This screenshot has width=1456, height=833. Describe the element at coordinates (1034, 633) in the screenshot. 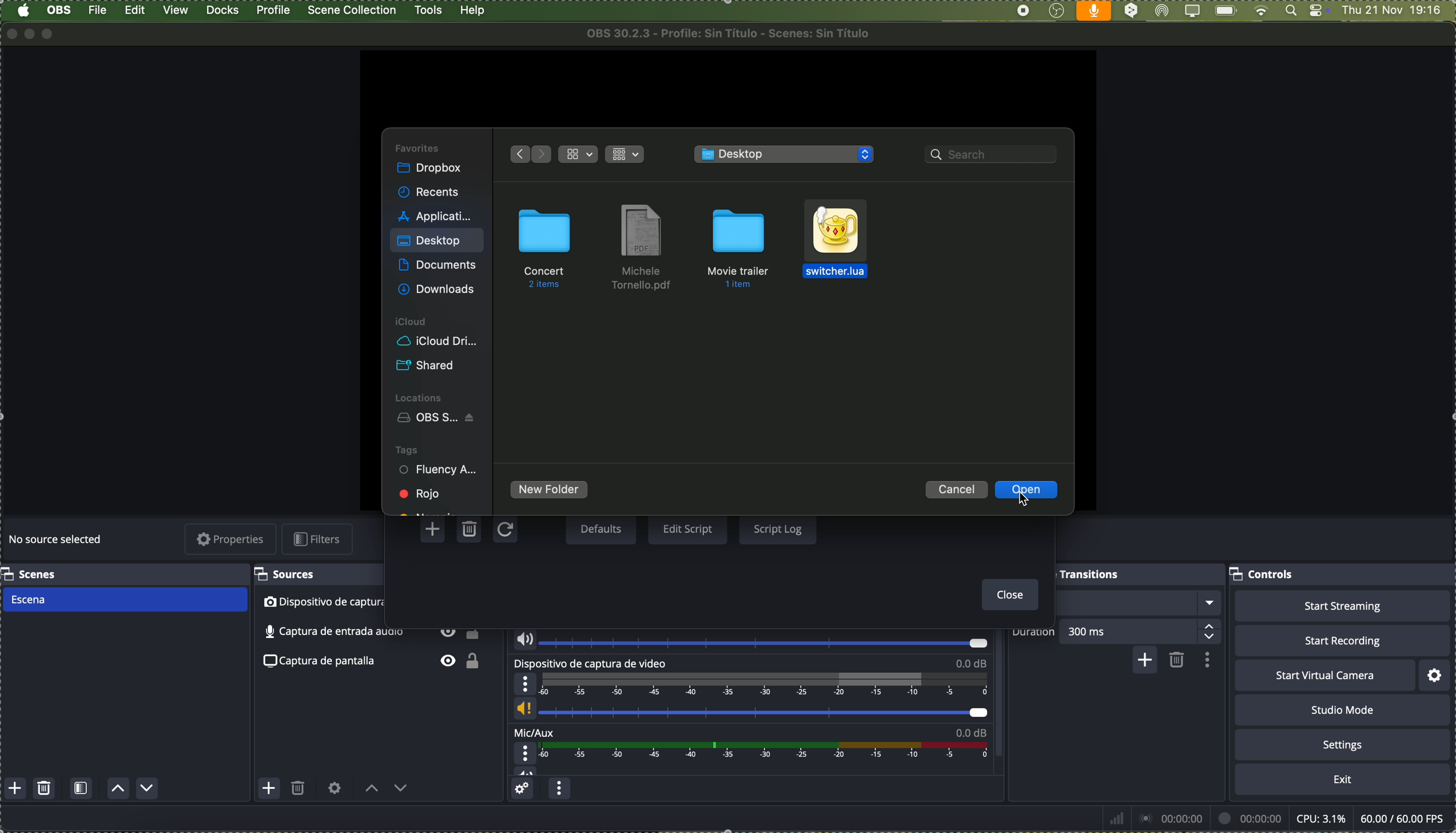

I see `duration` at that location.